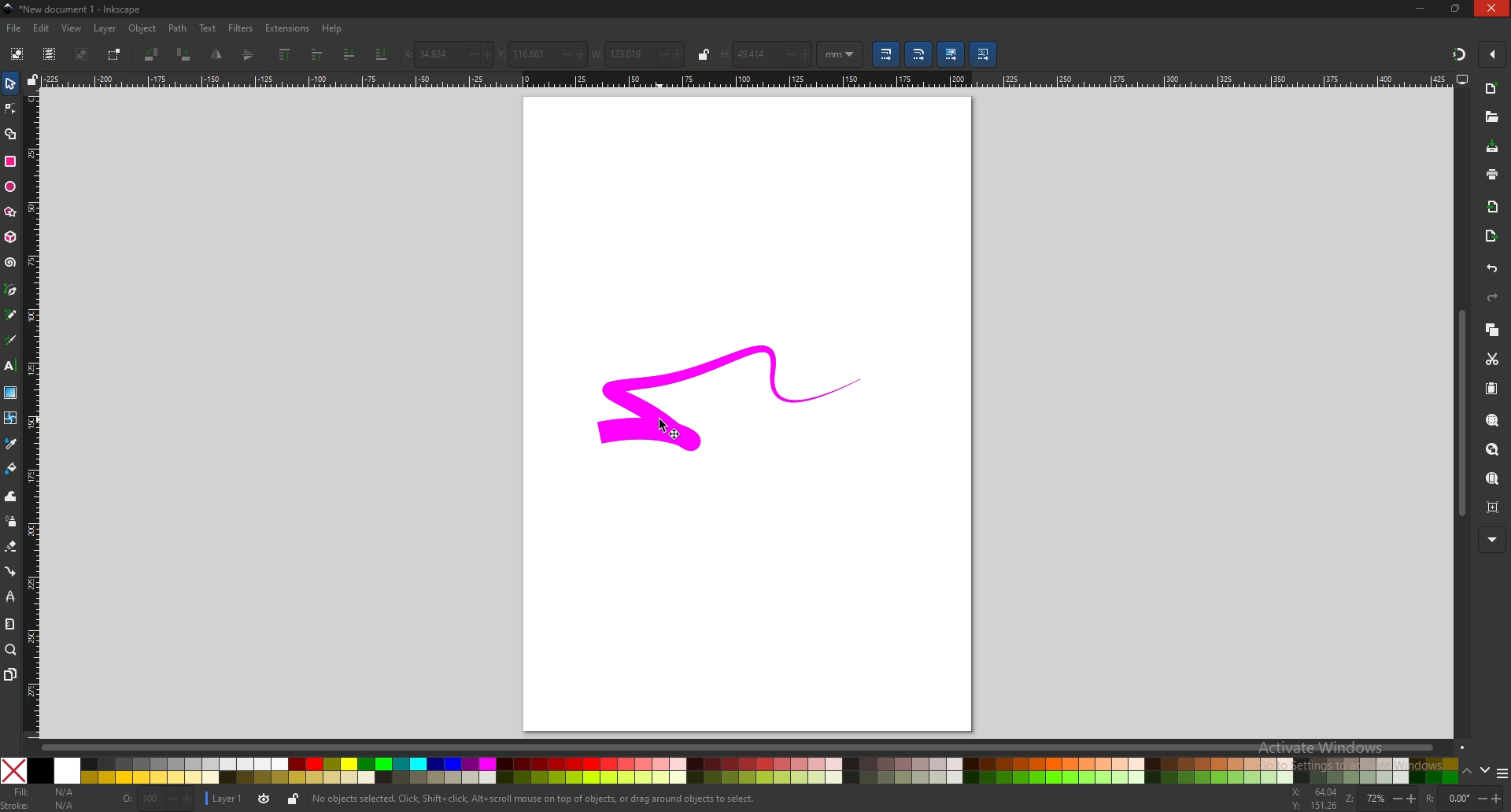  Describe the element at coordinates (737, 400) in the screenshot. I see `drawing` at that location.